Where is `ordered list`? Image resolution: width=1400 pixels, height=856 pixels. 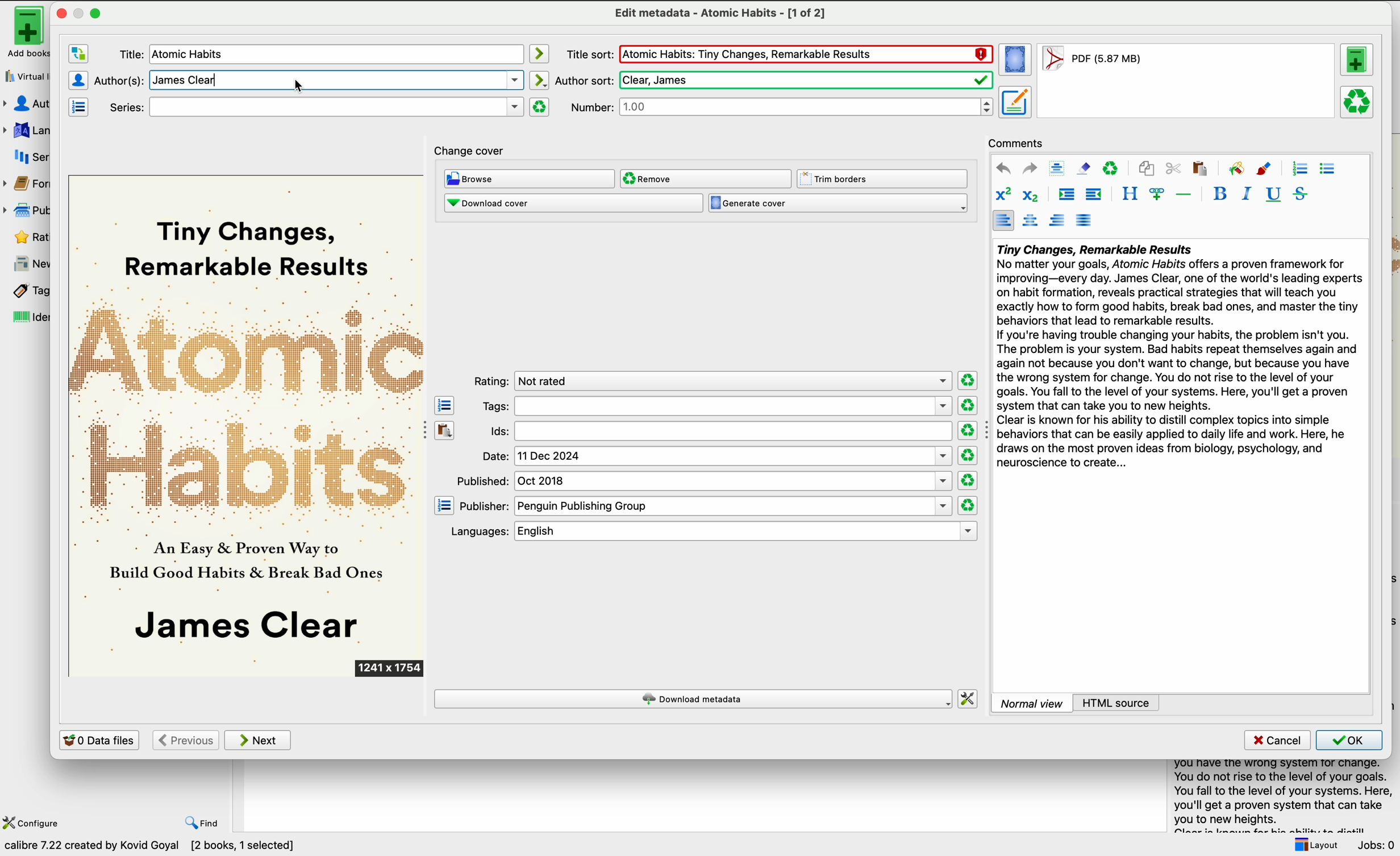
ordered list is located at coordinates (1299, 169).